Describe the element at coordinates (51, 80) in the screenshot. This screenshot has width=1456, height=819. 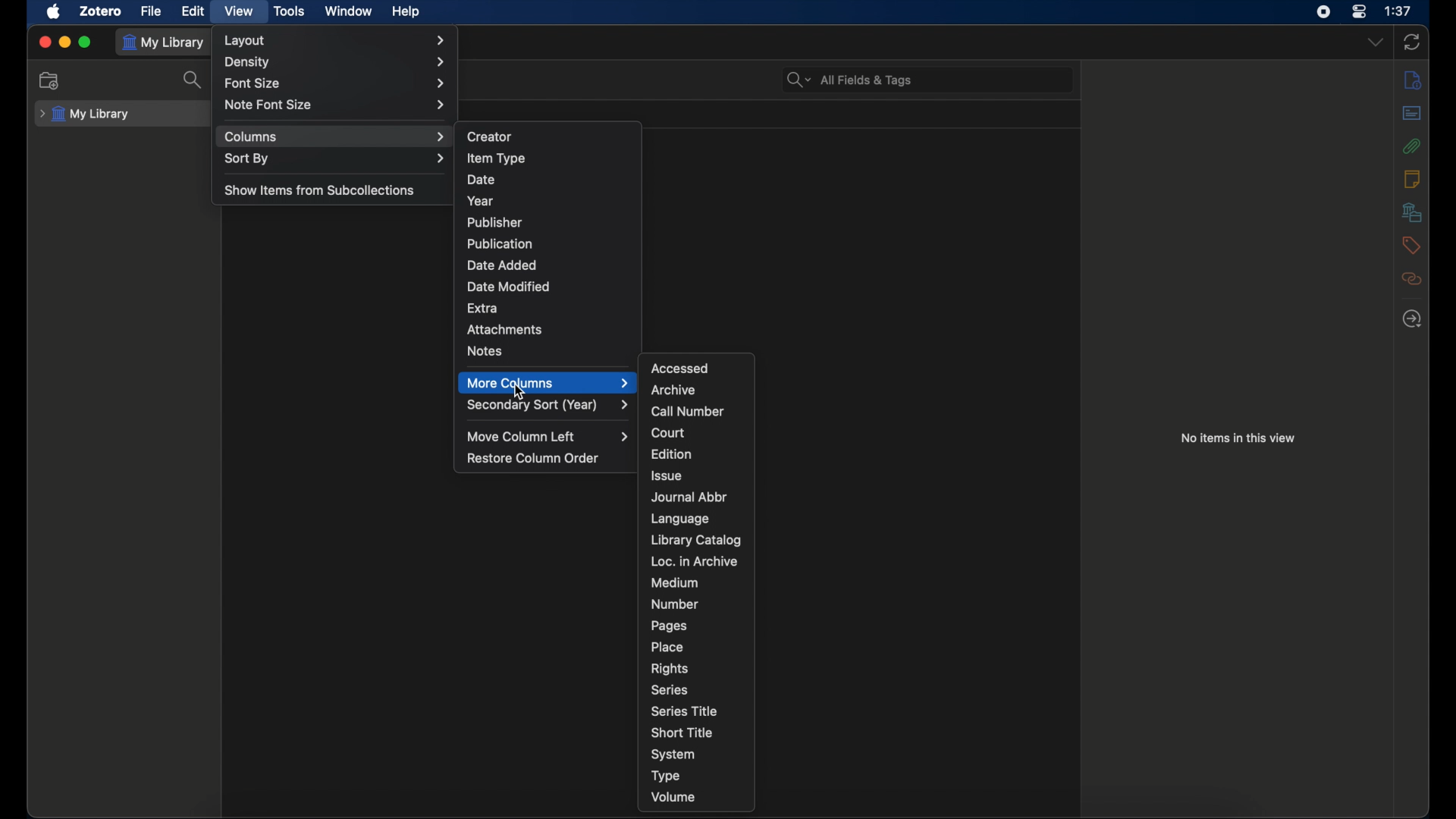
I see `new collection` at that location.